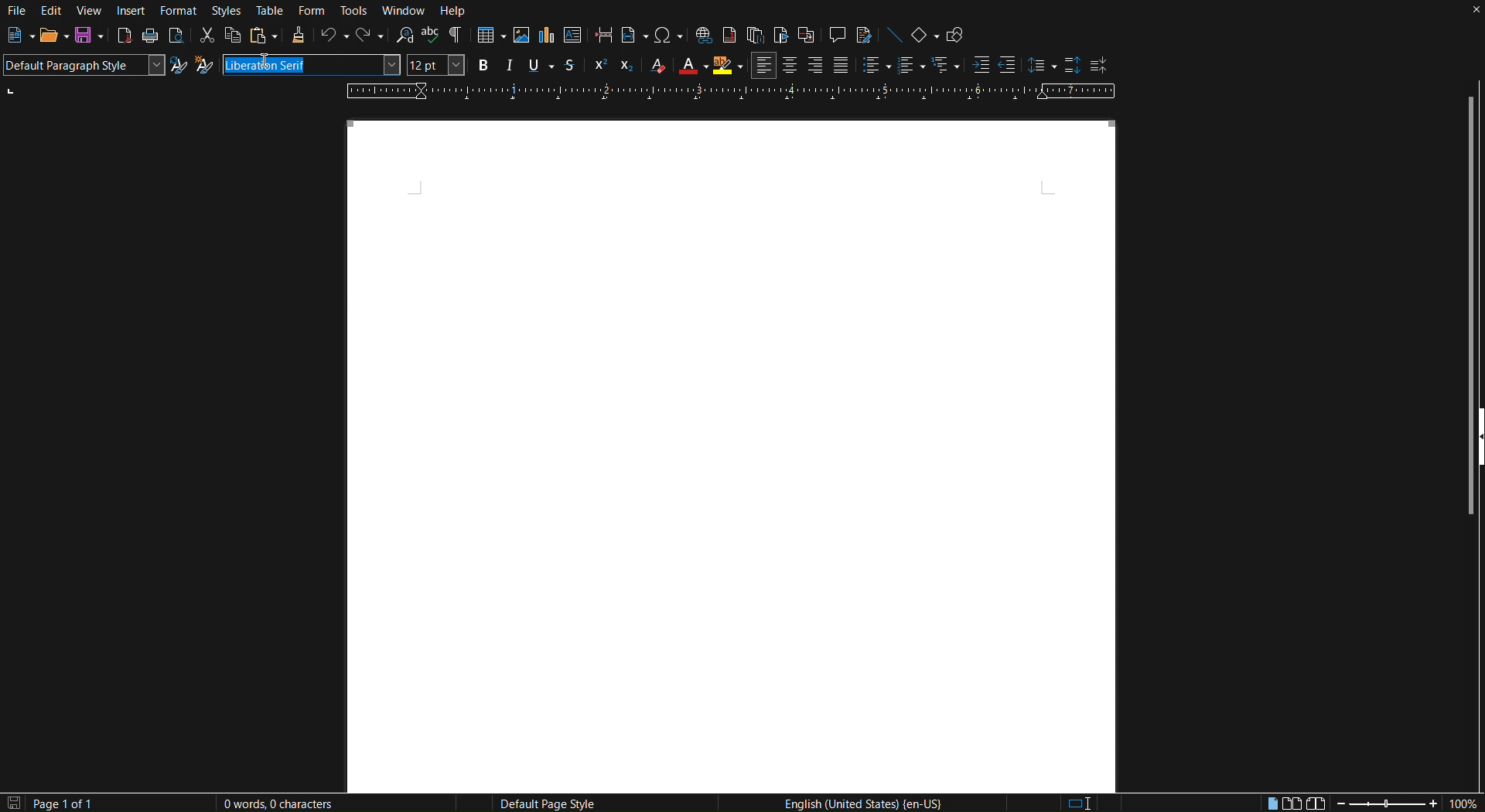 The image size is (1485, 812). Describe the element at coordinates (1467, 12) in the screenshot. I see `Close` at that location.